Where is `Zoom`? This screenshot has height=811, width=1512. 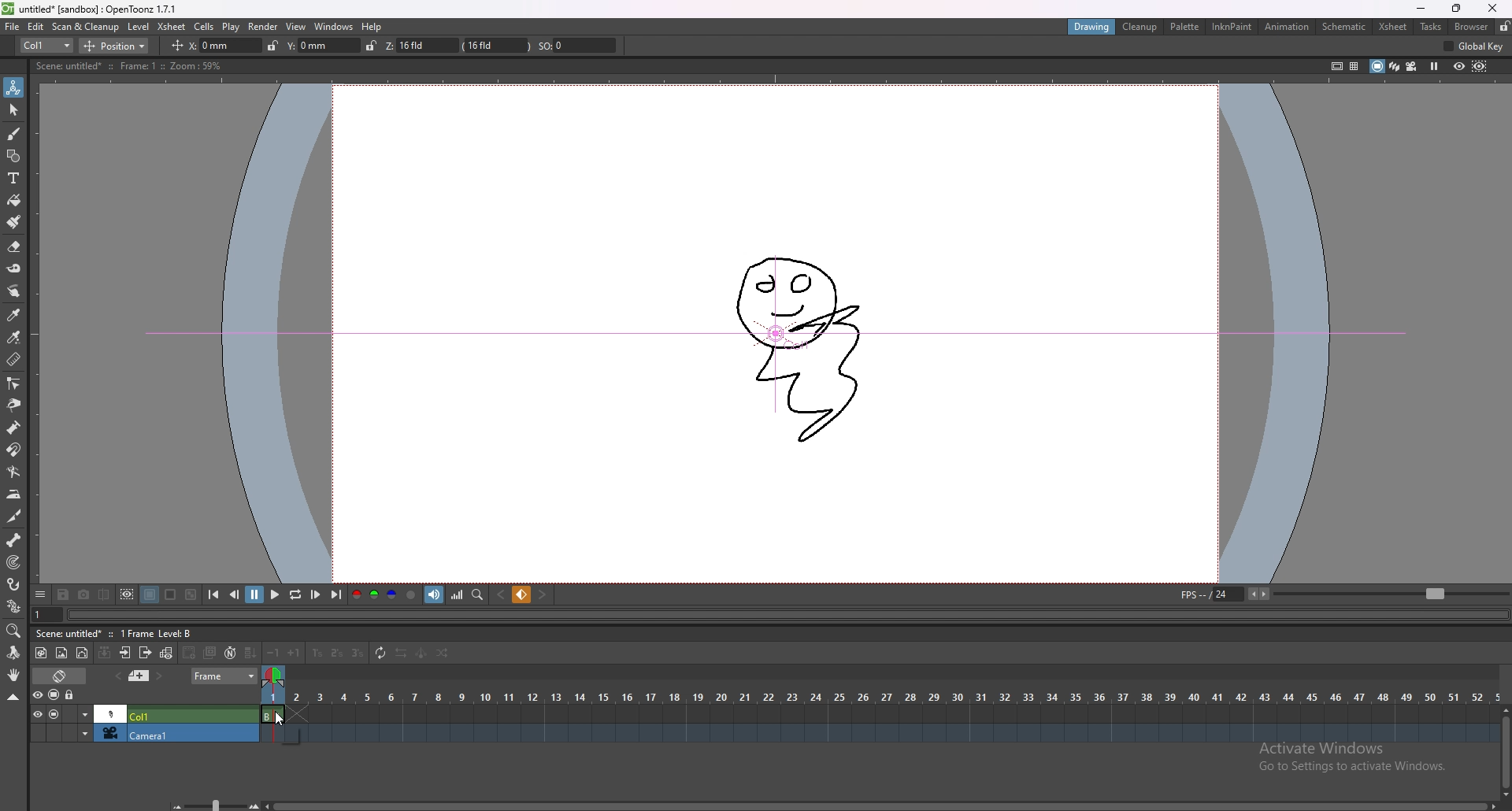
Zoom is located at coordinates (211, 802).